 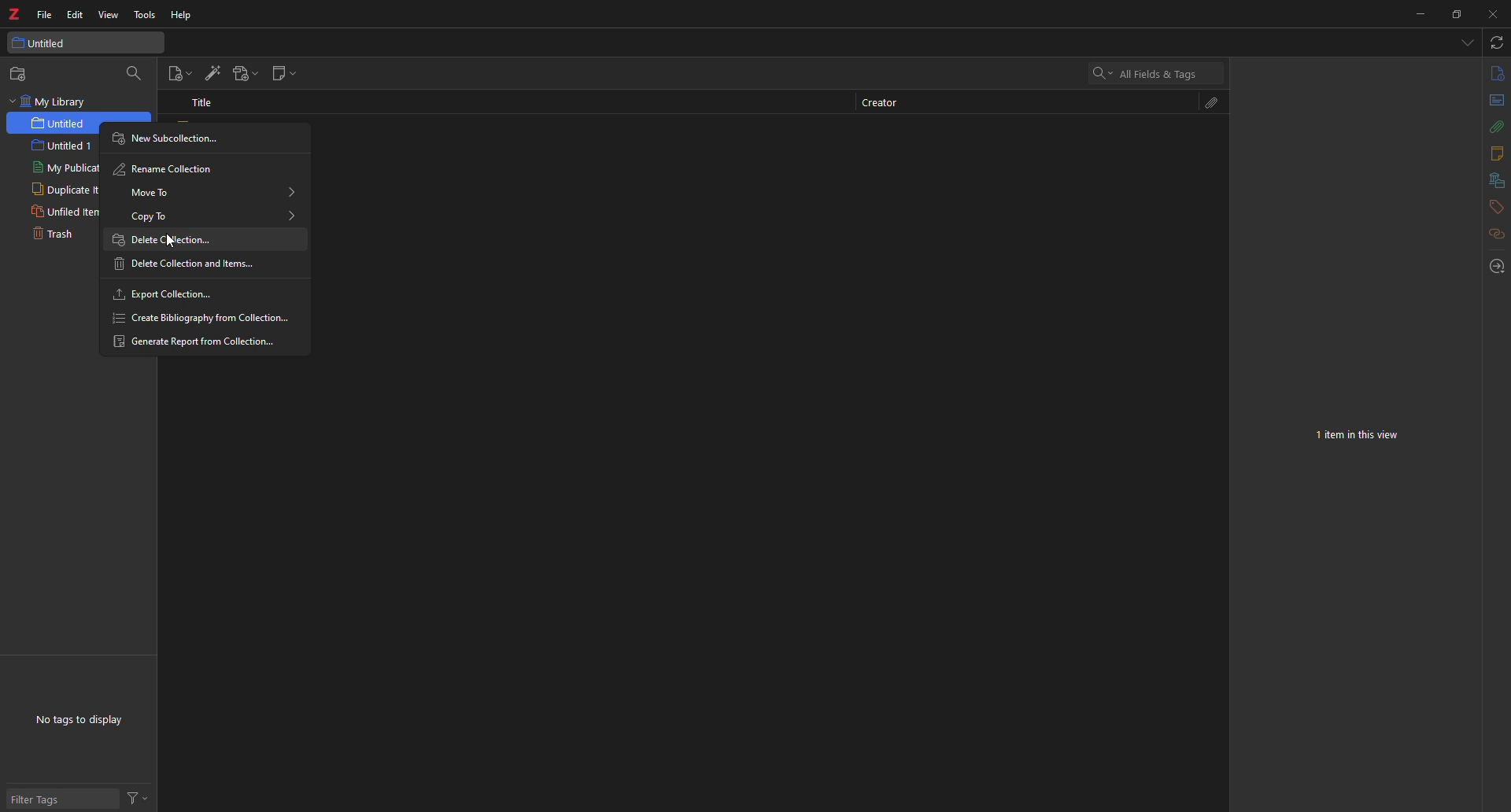 What do you see at coordinates (140, 798) in the screenshot?
I see `actions` at bounding box center [140, 798].